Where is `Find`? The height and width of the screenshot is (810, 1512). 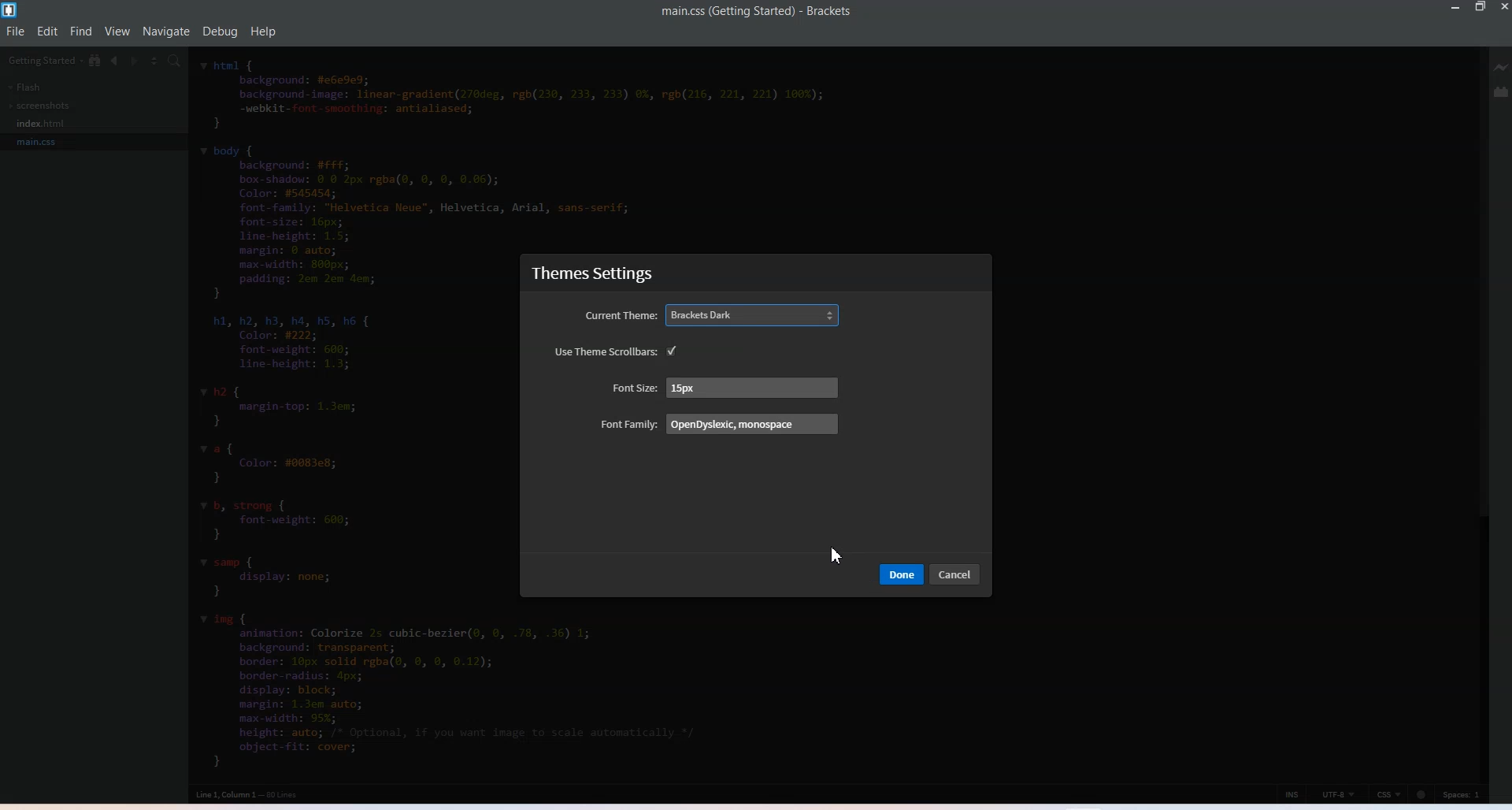 Find is located at coordinates (81, 31).